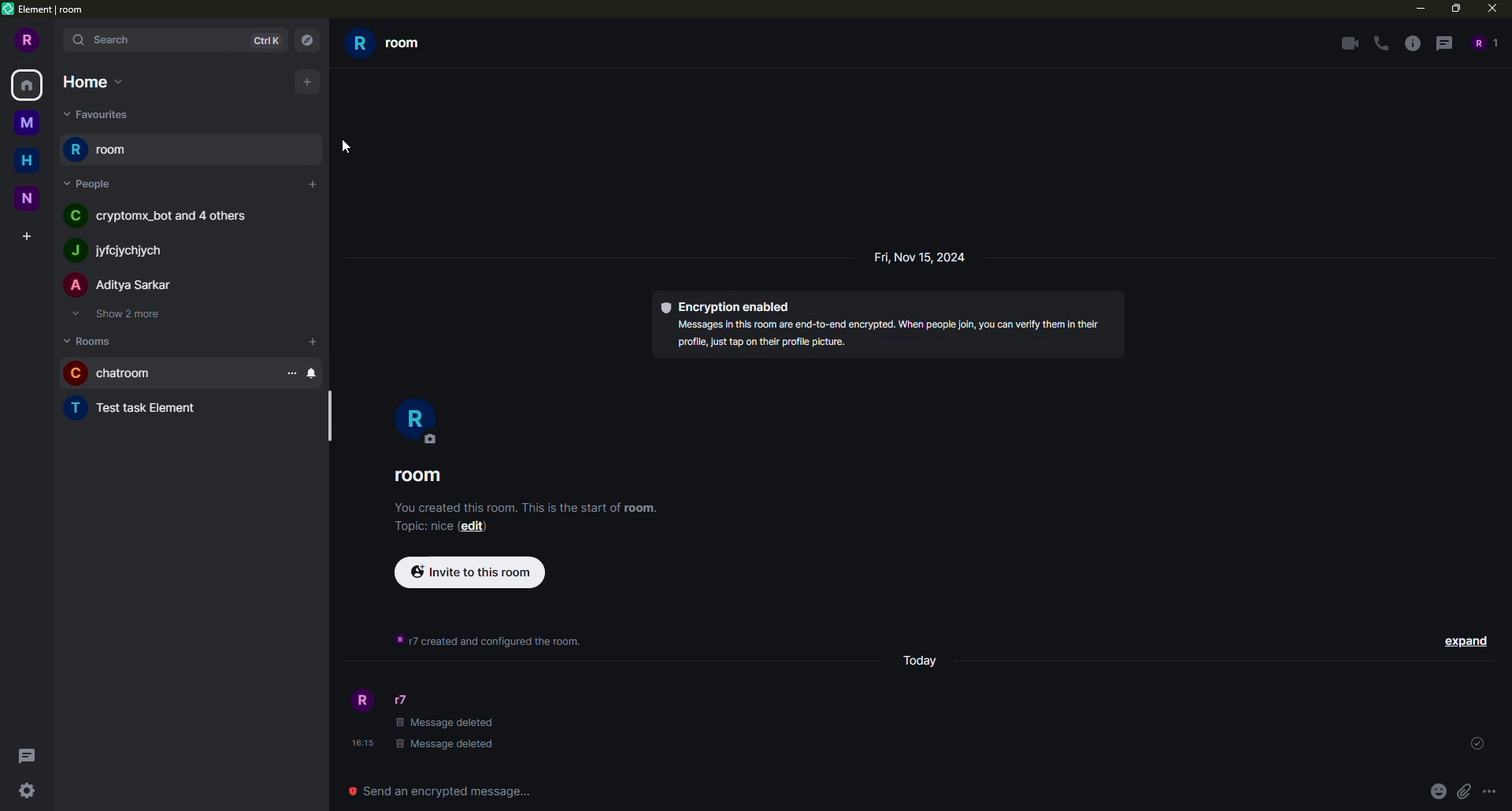 The width and height of the screenshot is (1512, 811). Describe the element at coordinates (28, 196) in the screenshot. I see `n` at that location.